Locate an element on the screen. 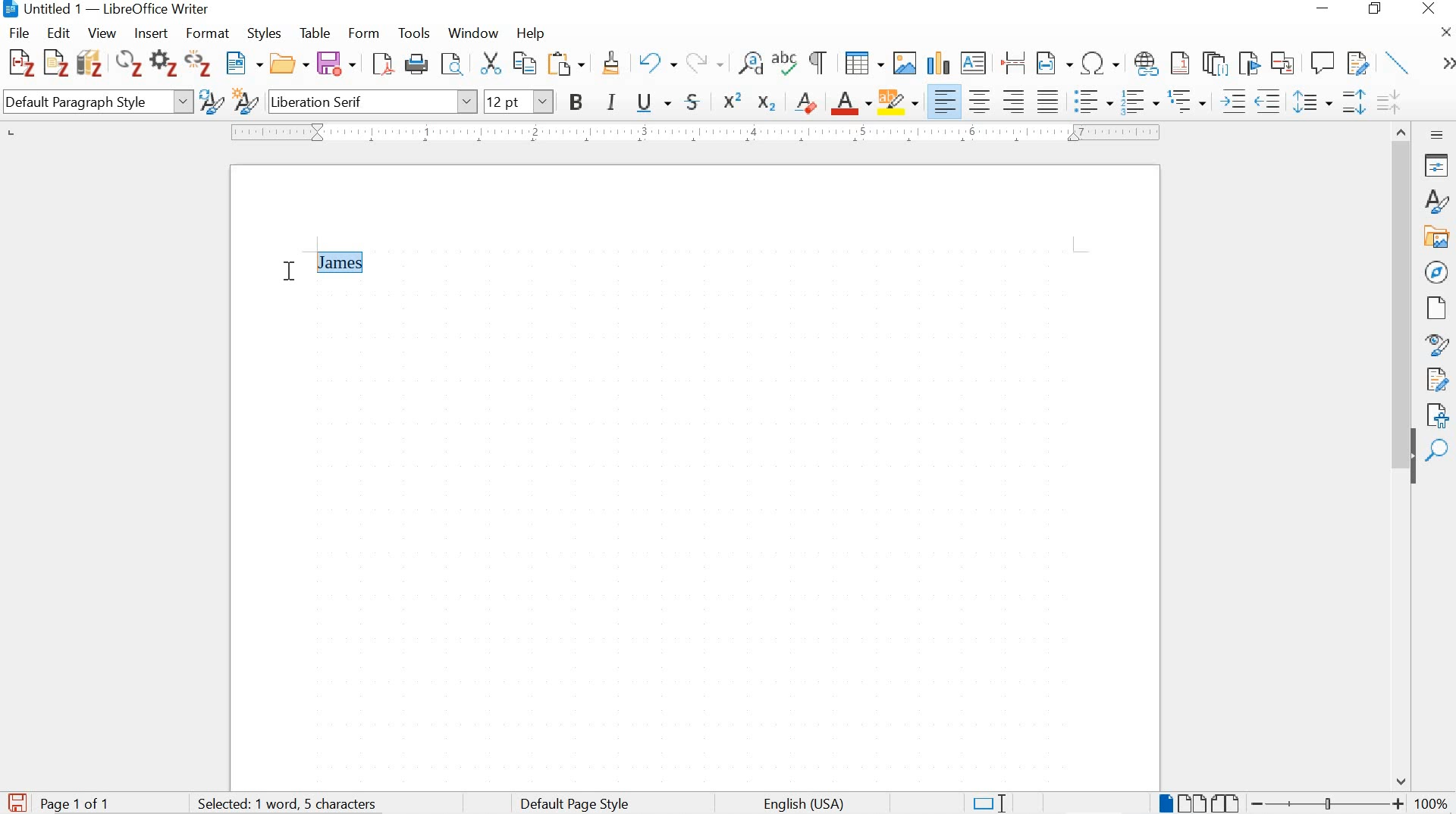 The width and height of the screenshot is (1456, 814). insert bookmark is located at coordinates (1247, 63).